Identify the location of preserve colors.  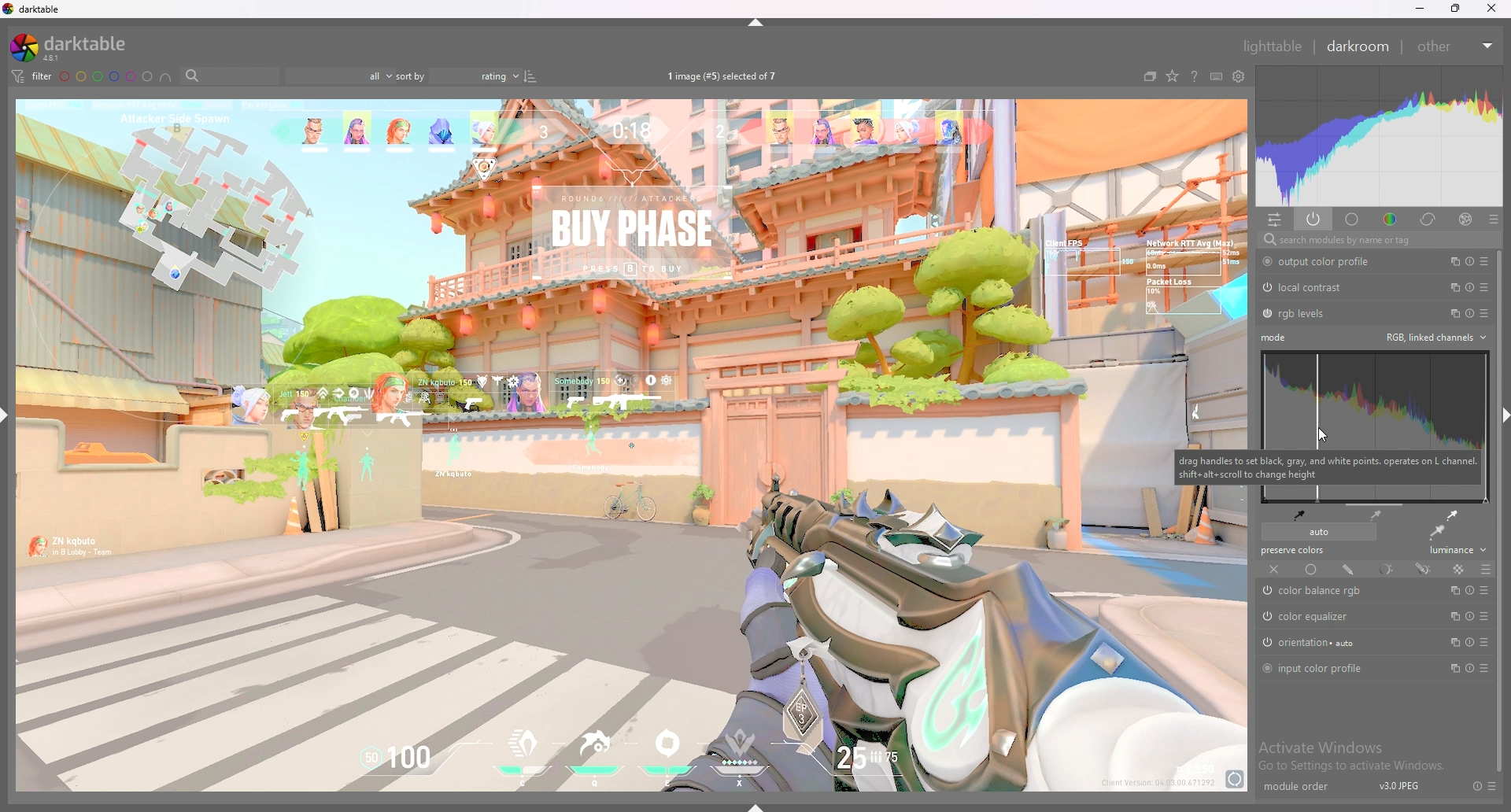
(1295, 551).